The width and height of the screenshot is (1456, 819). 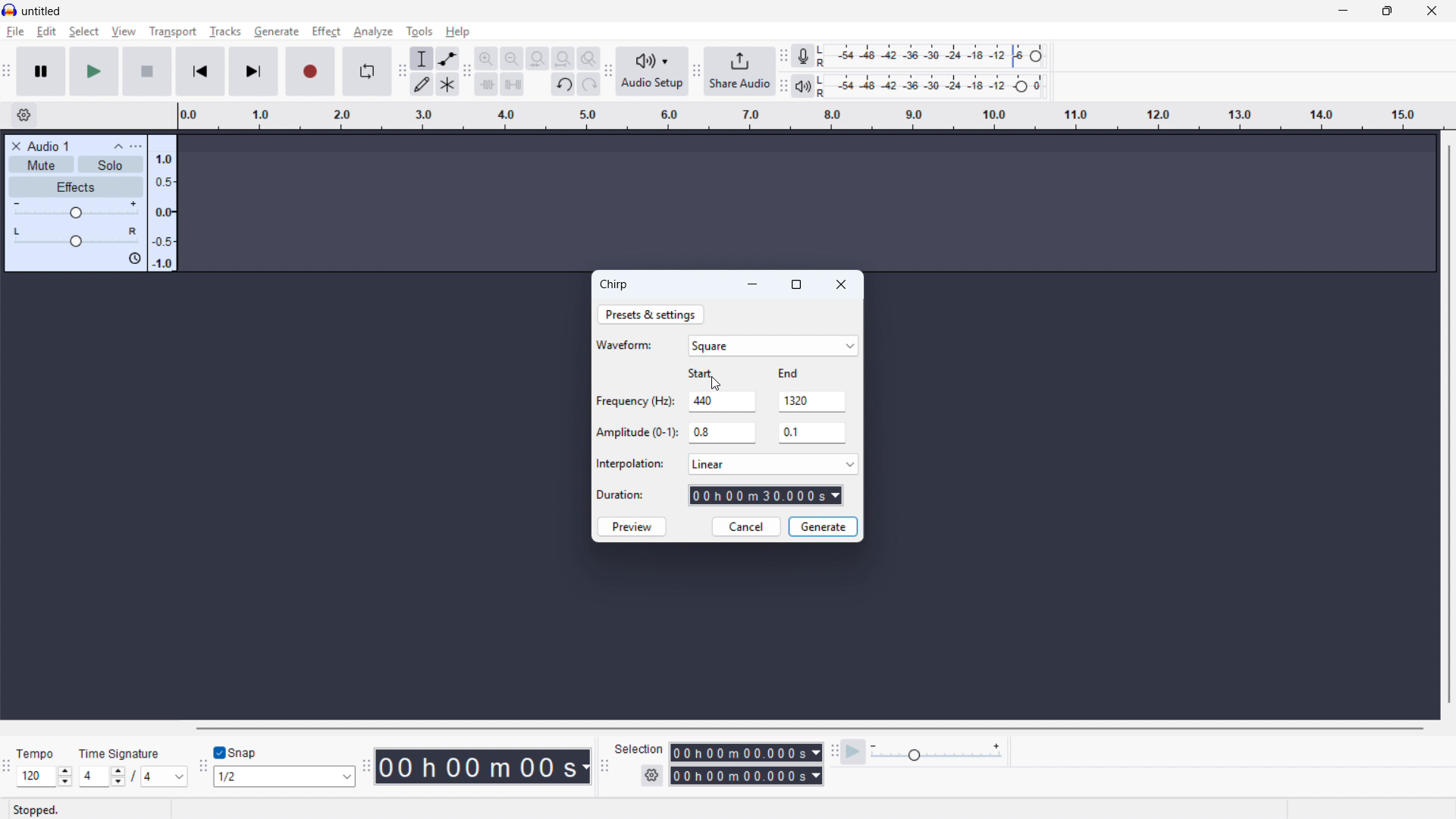 I want to click on cancel , so click(x=748, y=526).